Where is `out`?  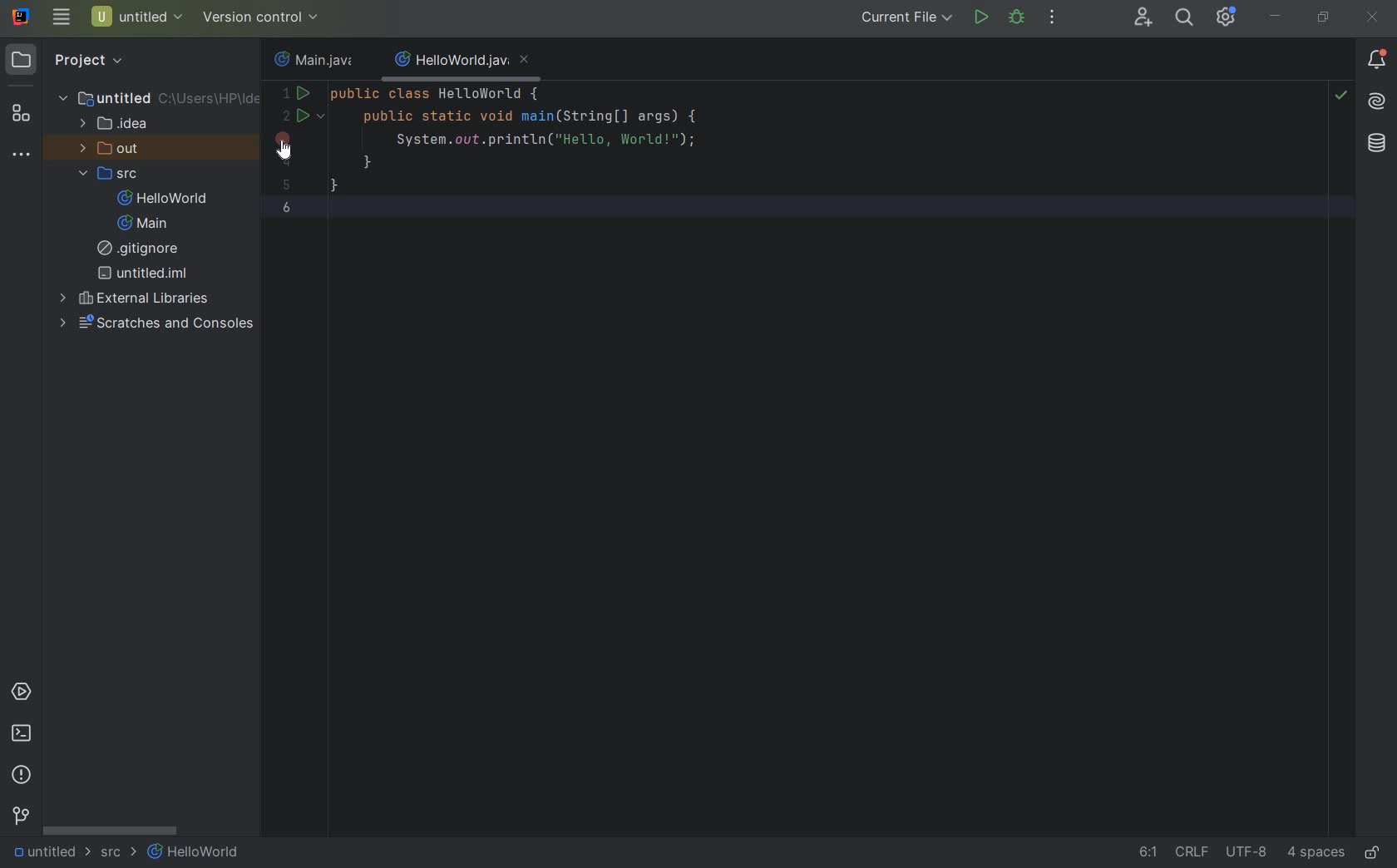 out is located at coordinates (110, 150).